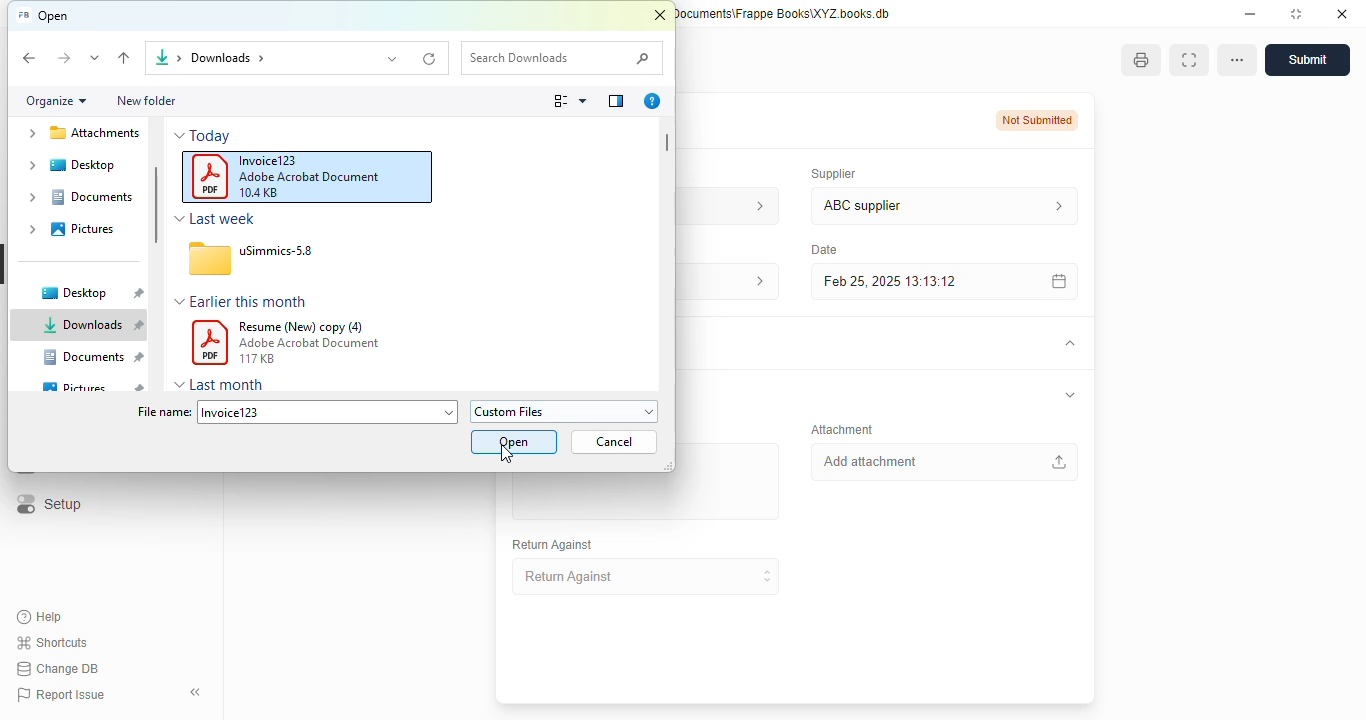  Describe the element at coordinates (30, 59) in the screenshot. I see `back` at that location.